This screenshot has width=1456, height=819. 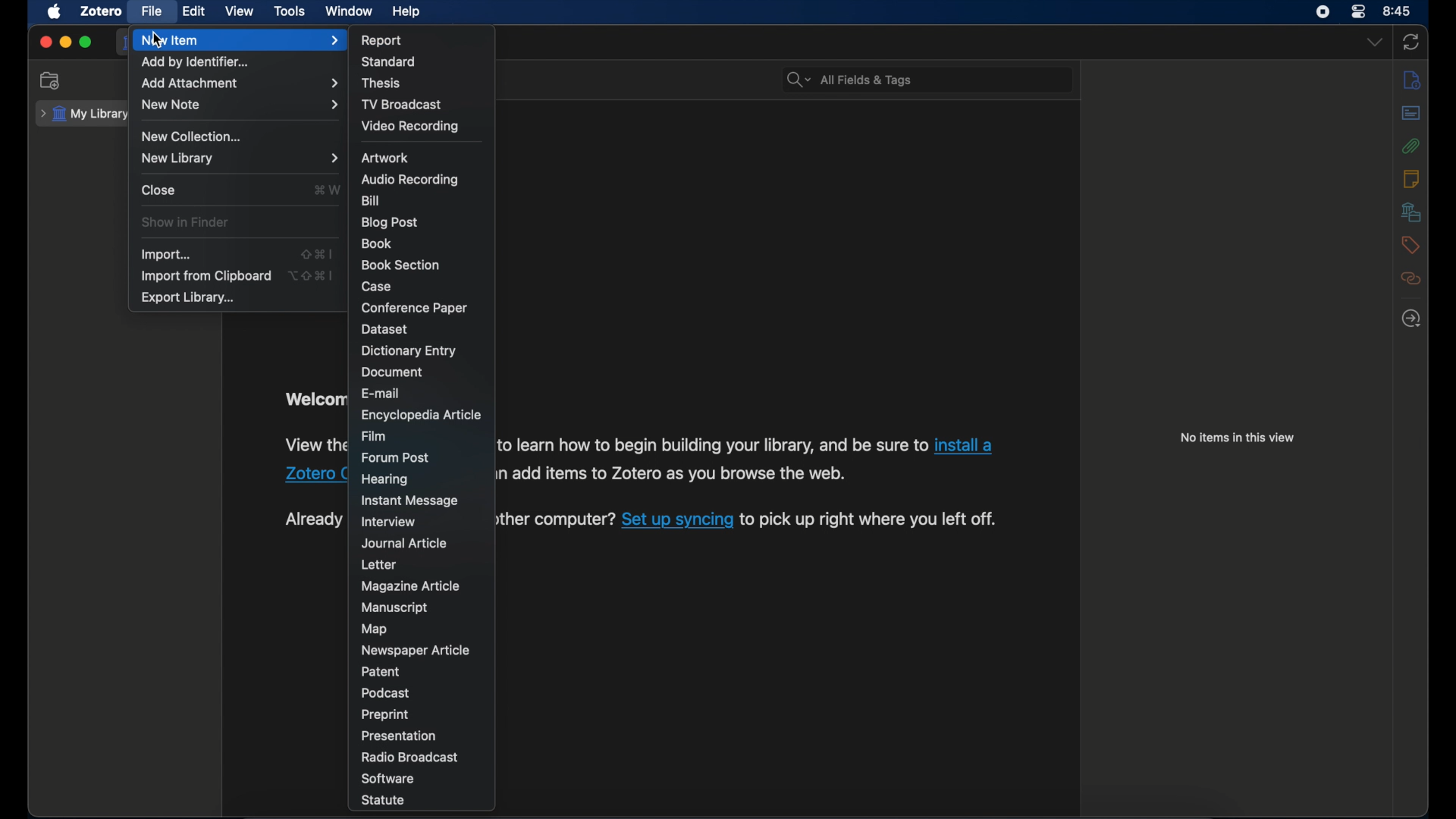 I want to click on presentation, so click(x=400, y=736).